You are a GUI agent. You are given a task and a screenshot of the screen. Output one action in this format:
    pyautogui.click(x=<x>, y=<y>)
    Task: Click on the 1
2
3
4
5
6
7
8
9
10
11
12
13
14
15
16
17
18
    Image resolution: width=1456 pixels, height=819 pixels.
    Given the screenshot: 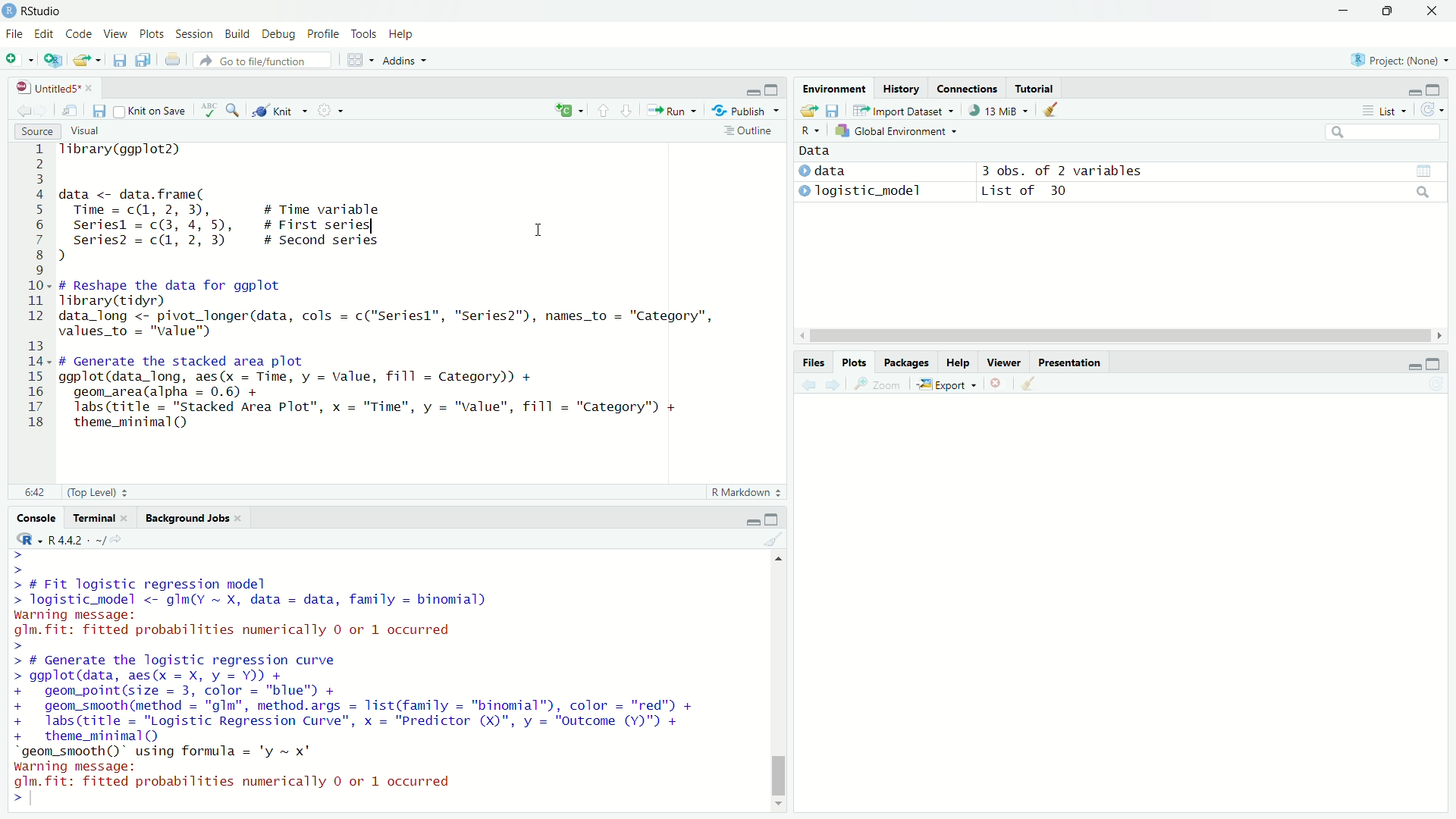 What is the action you would take?
    pyautogui.click(x=31, y=290)
    